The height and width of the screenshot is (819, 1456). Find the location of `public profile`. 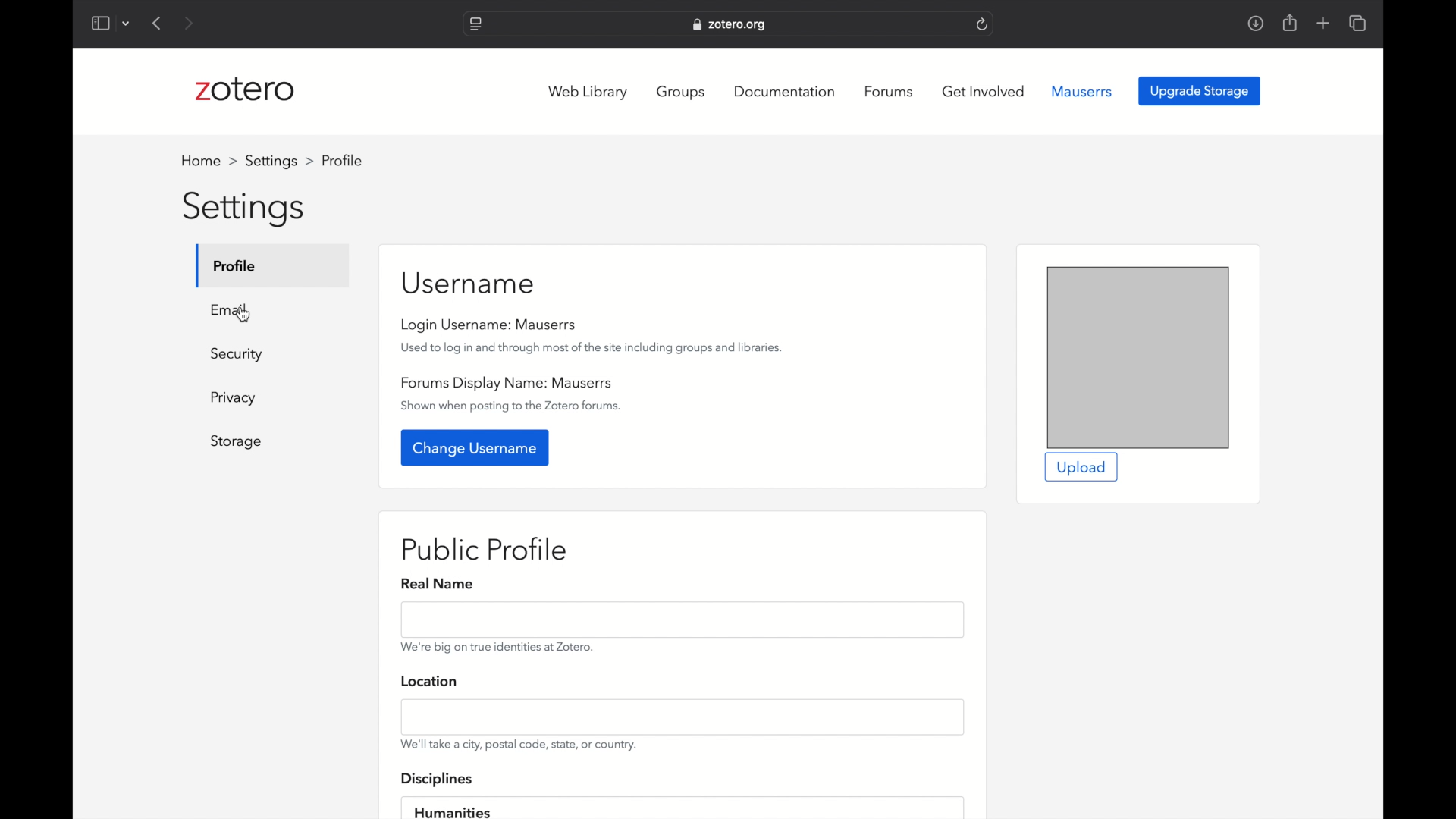

public profile is located at coordinates (486, 550).